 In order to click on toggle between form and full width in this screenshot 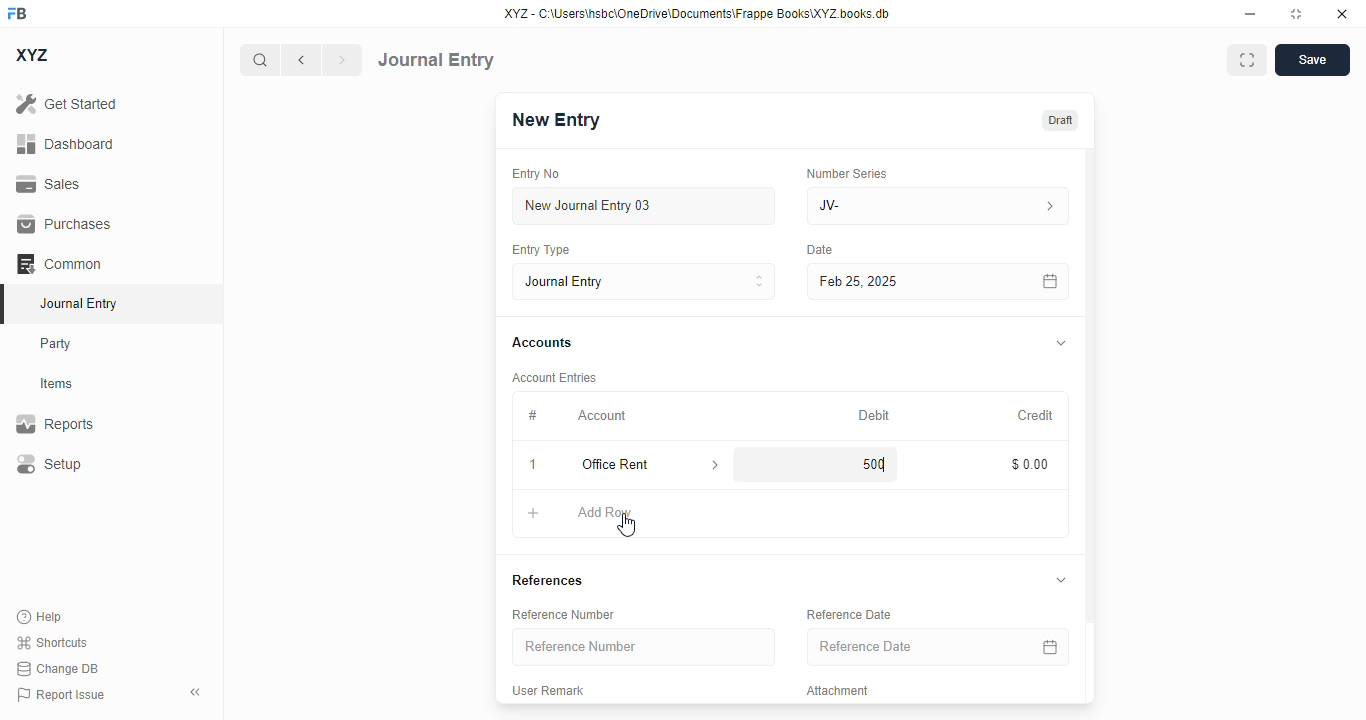, I will do `click(1248, 60)`.